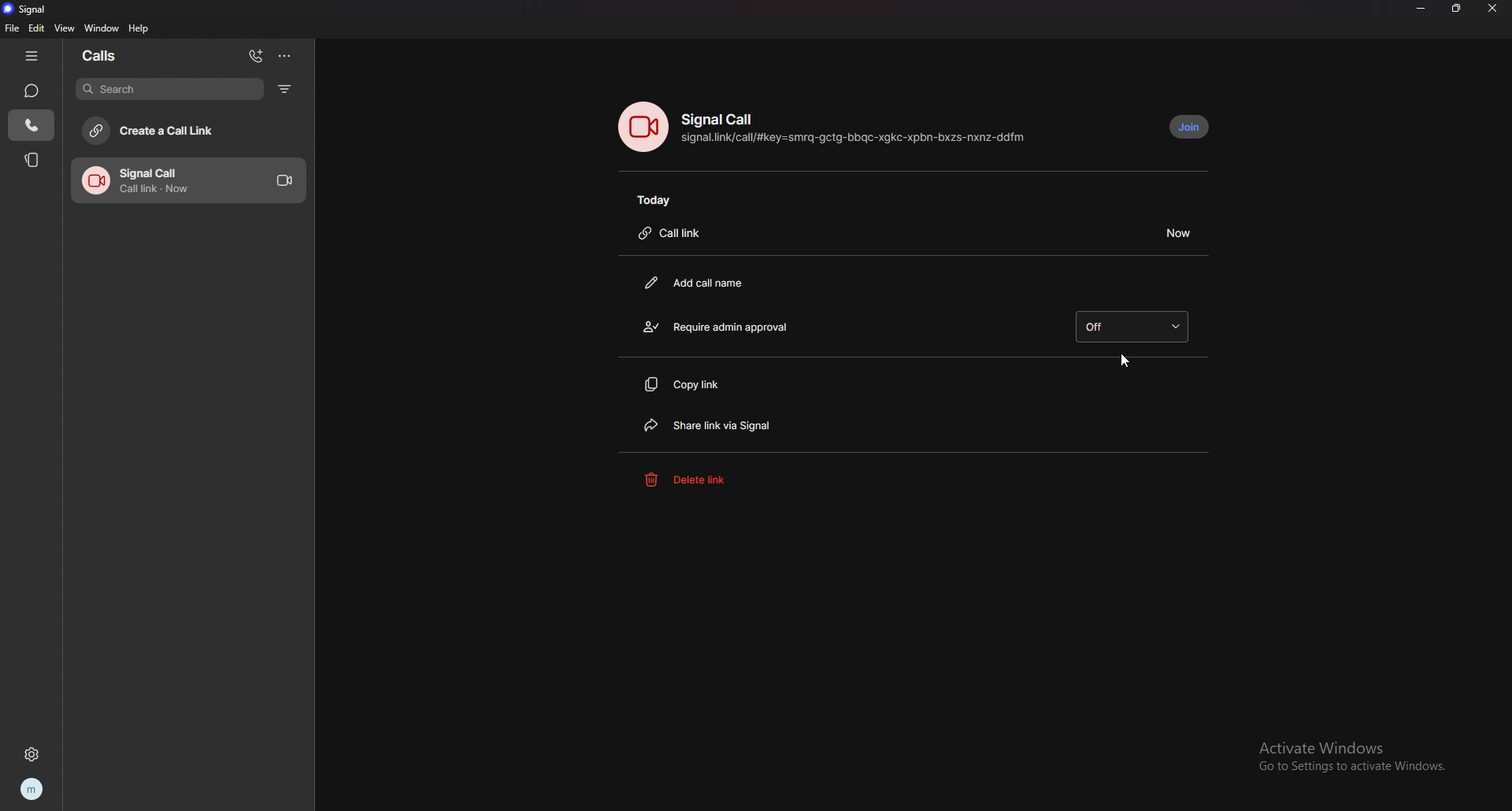 The height and width of the screenshot is (811, 1512). What do you see at coordinates (64, 28) in the screenshot?
I see `view` at bounding box center [64, 28].